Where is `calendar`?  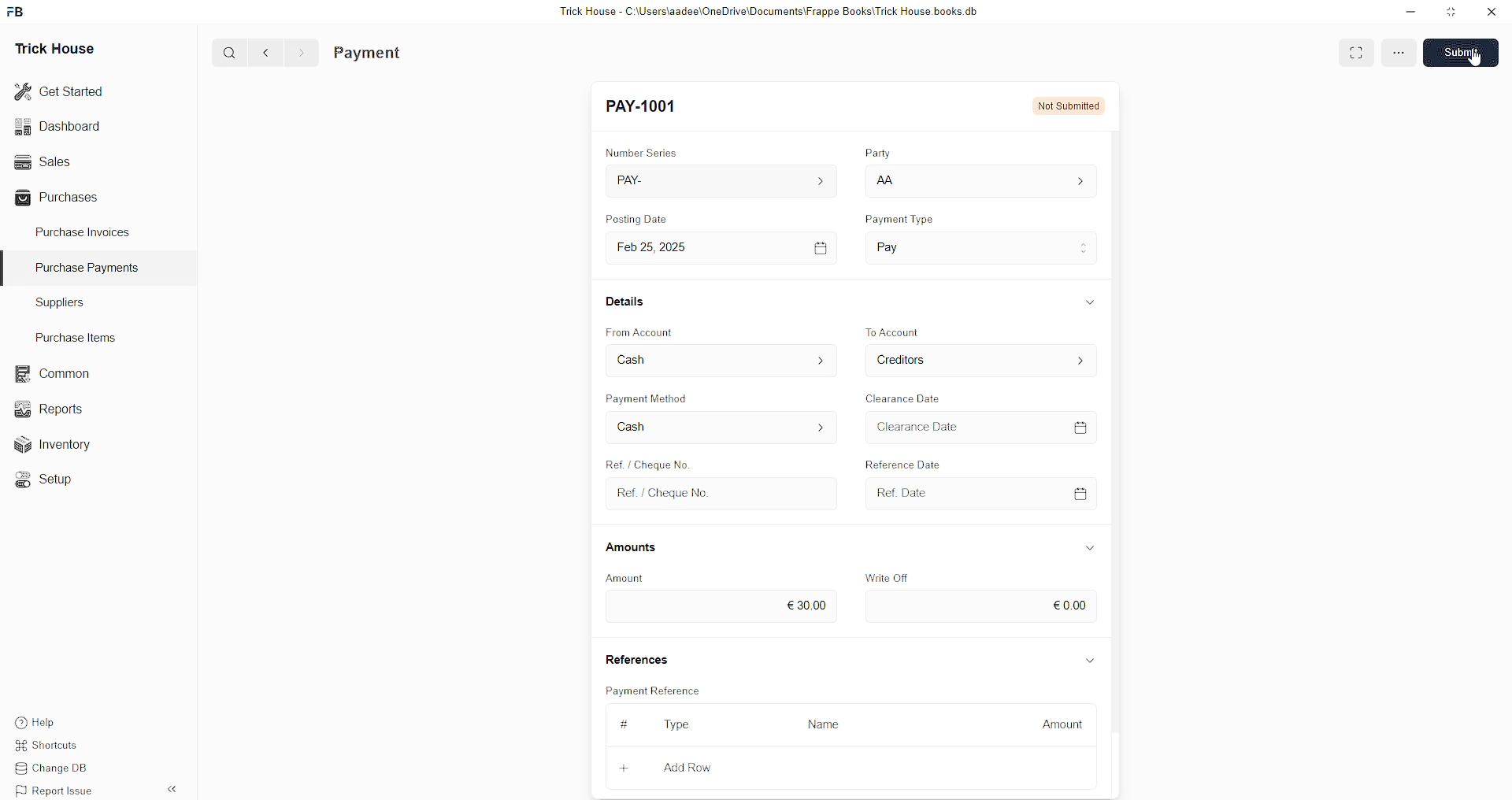 calendar is located at coordinates (1091, 429).